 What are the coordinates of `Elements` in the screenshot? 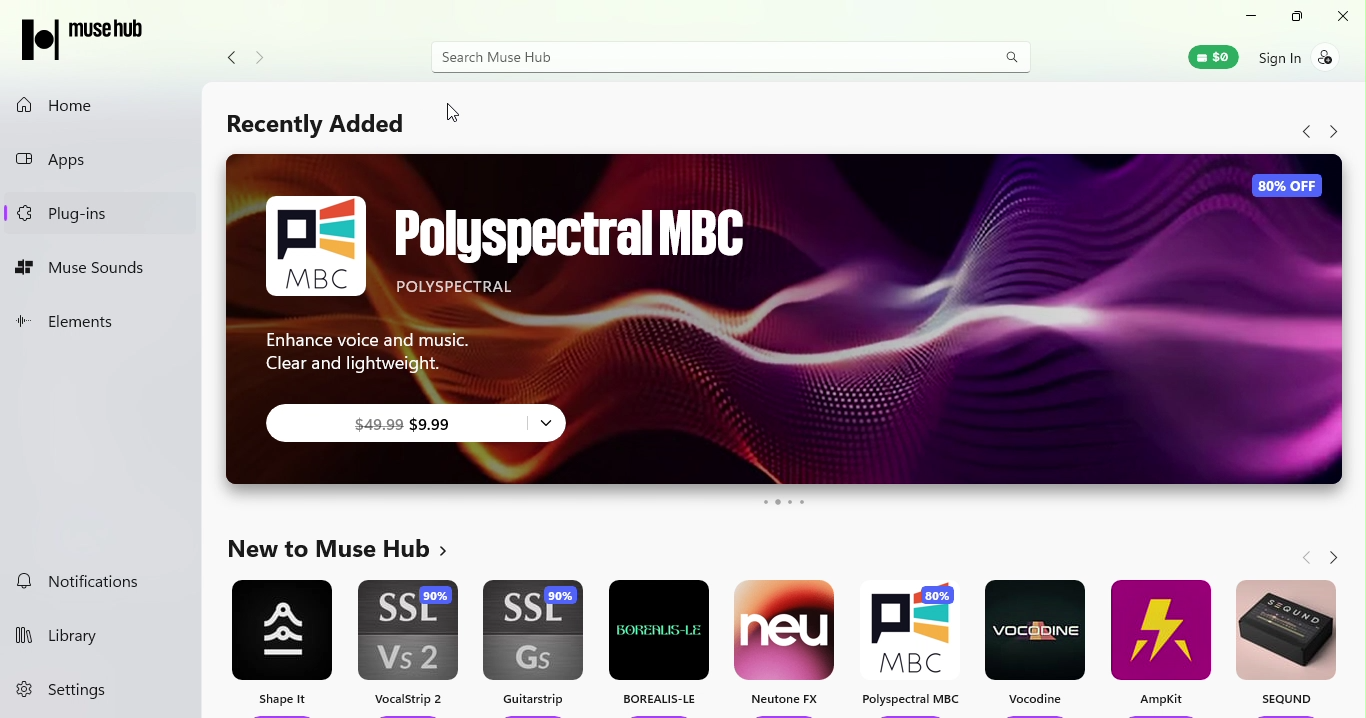 It's located at (62, 325).